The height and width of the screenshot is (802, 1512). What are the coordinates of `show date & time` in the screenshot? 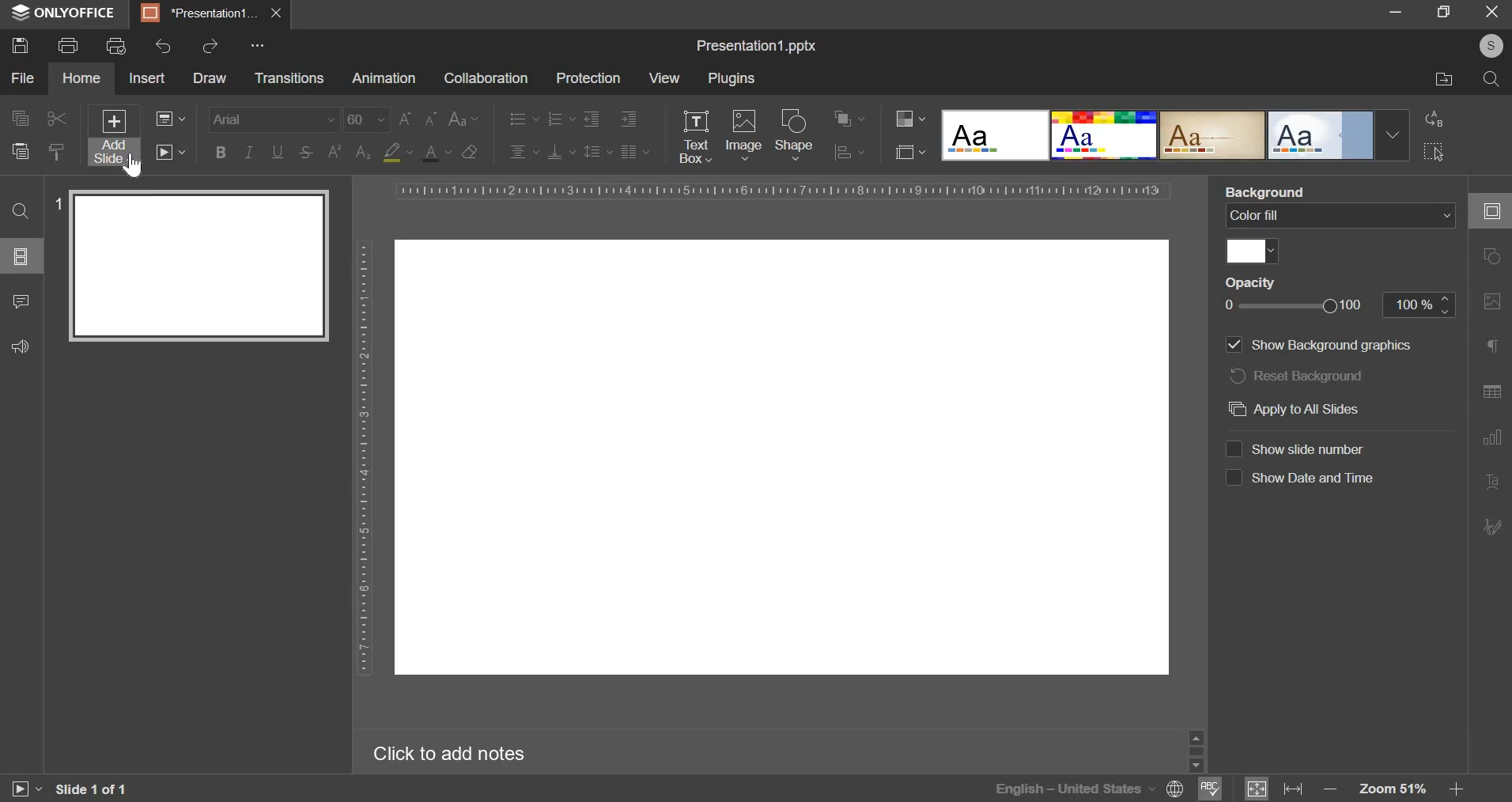 It's located at (1302, 477).